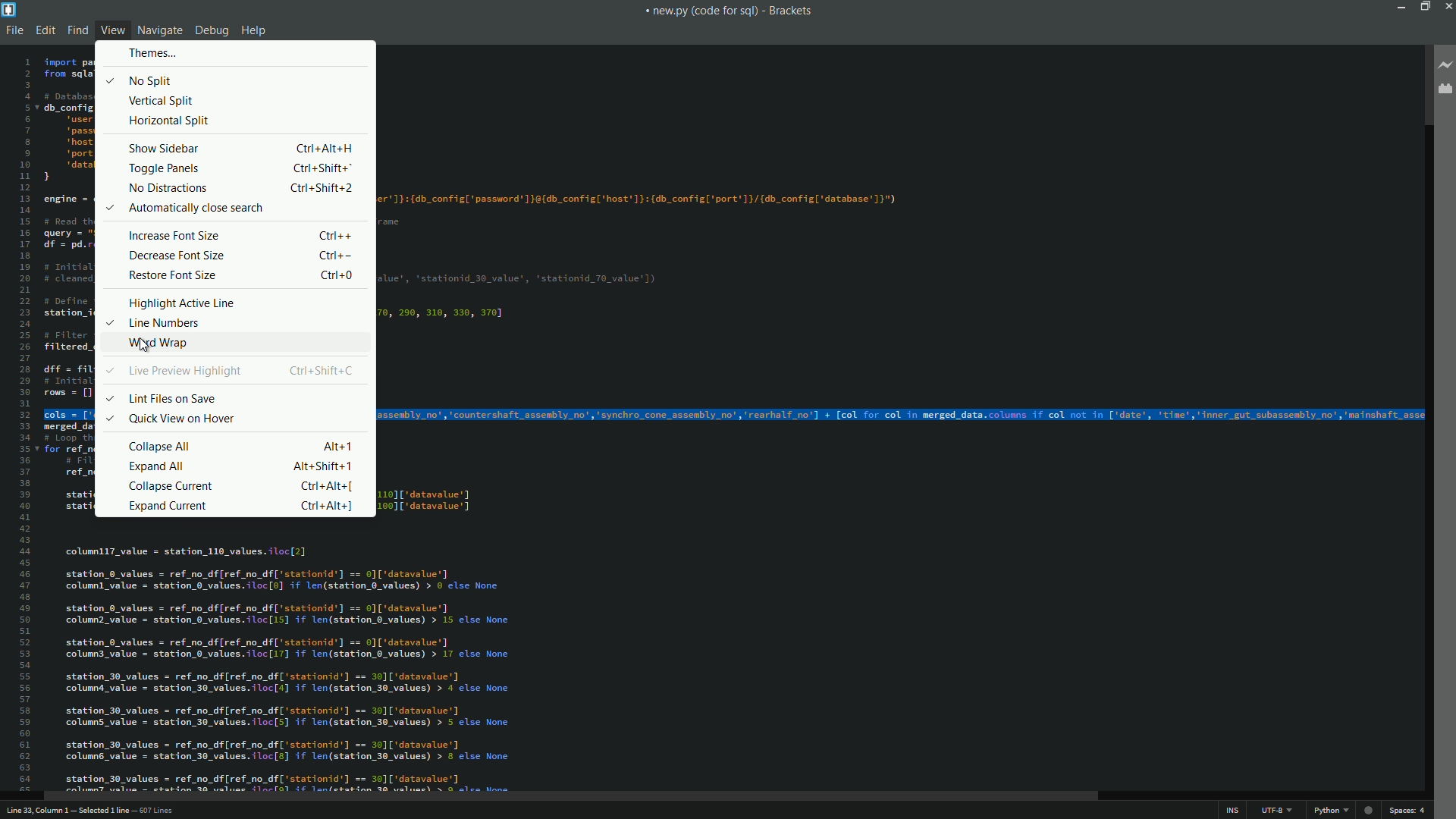  What do you see at coordinates (22, 424) in the screenshot?
I see `line numbers` at bounding box center [22, 424].